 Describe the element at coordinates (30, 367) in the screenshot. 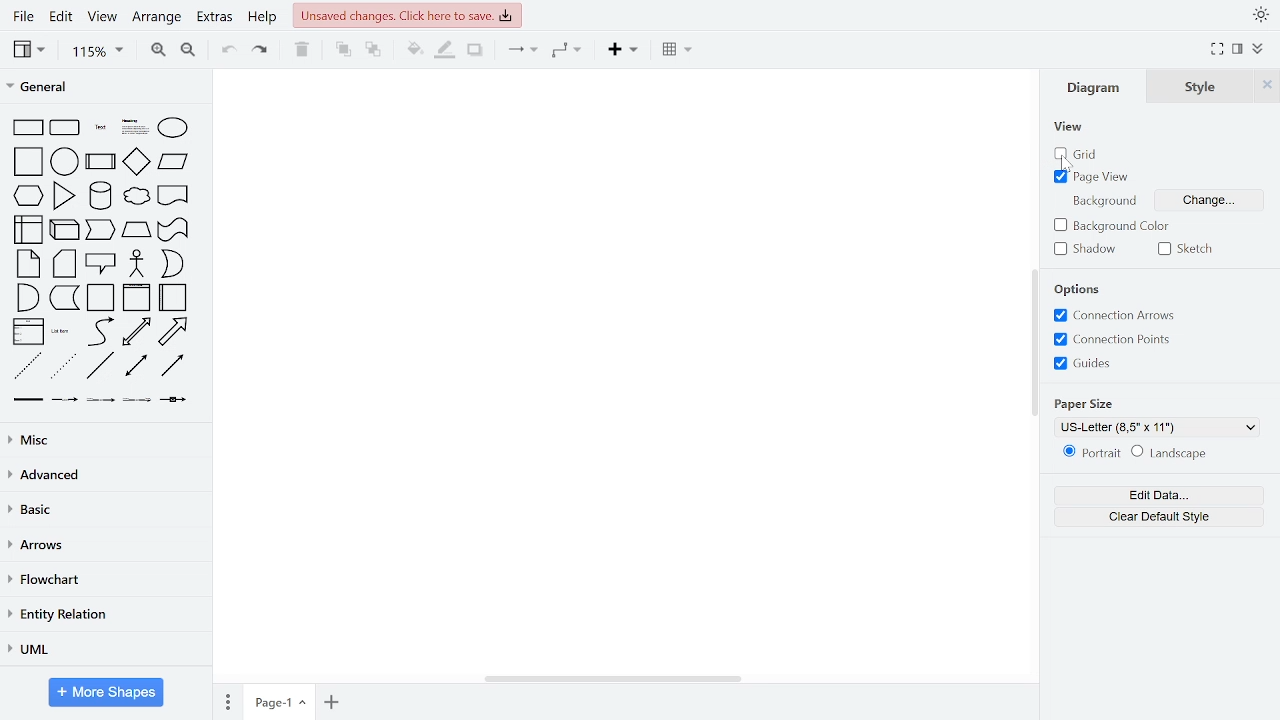

I see `dashed line` at that location.